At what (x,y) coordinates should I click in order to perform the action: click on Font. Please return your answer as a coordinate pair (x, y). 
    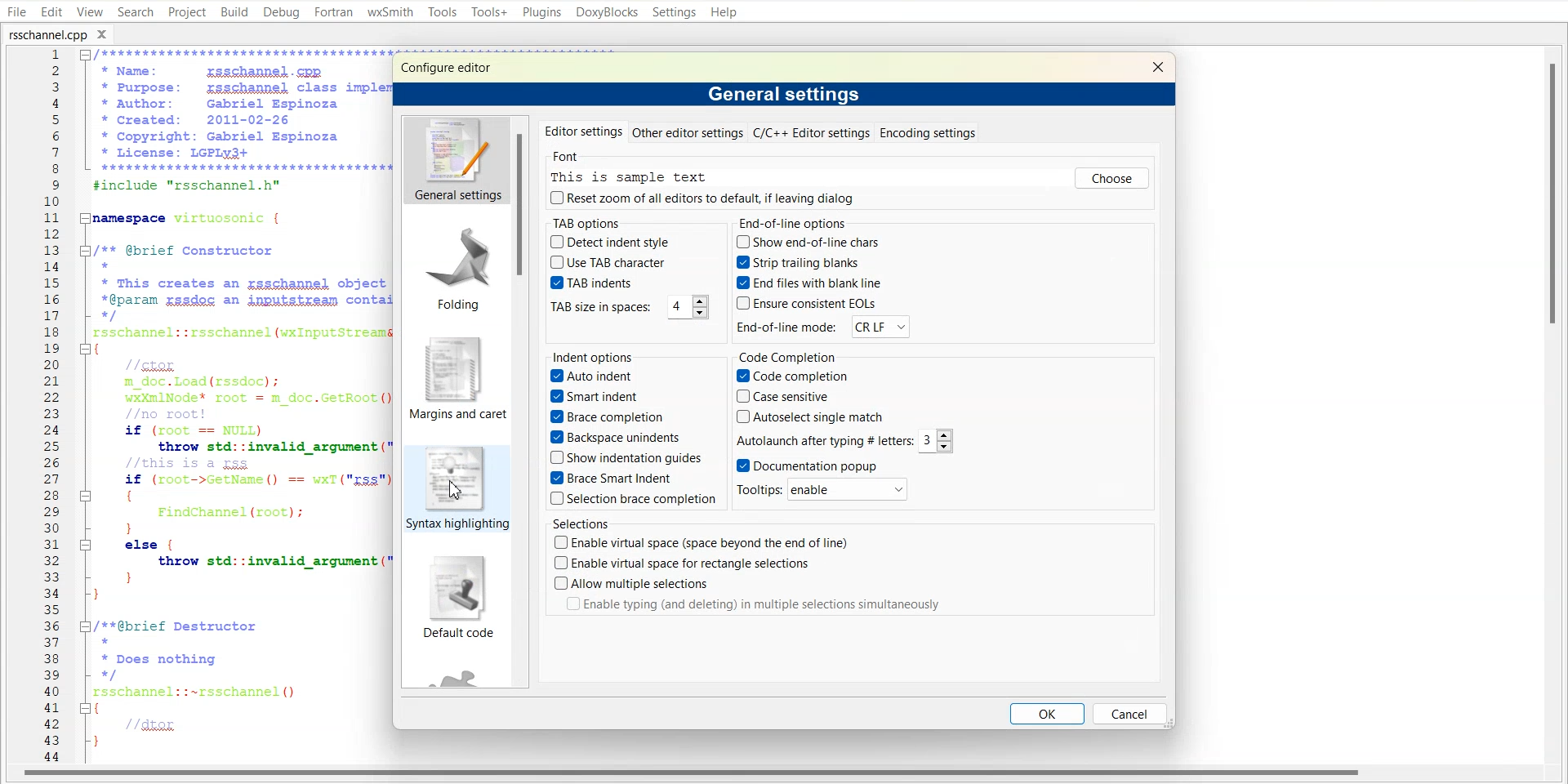
    Looking at the image, I should click on (568, 156).